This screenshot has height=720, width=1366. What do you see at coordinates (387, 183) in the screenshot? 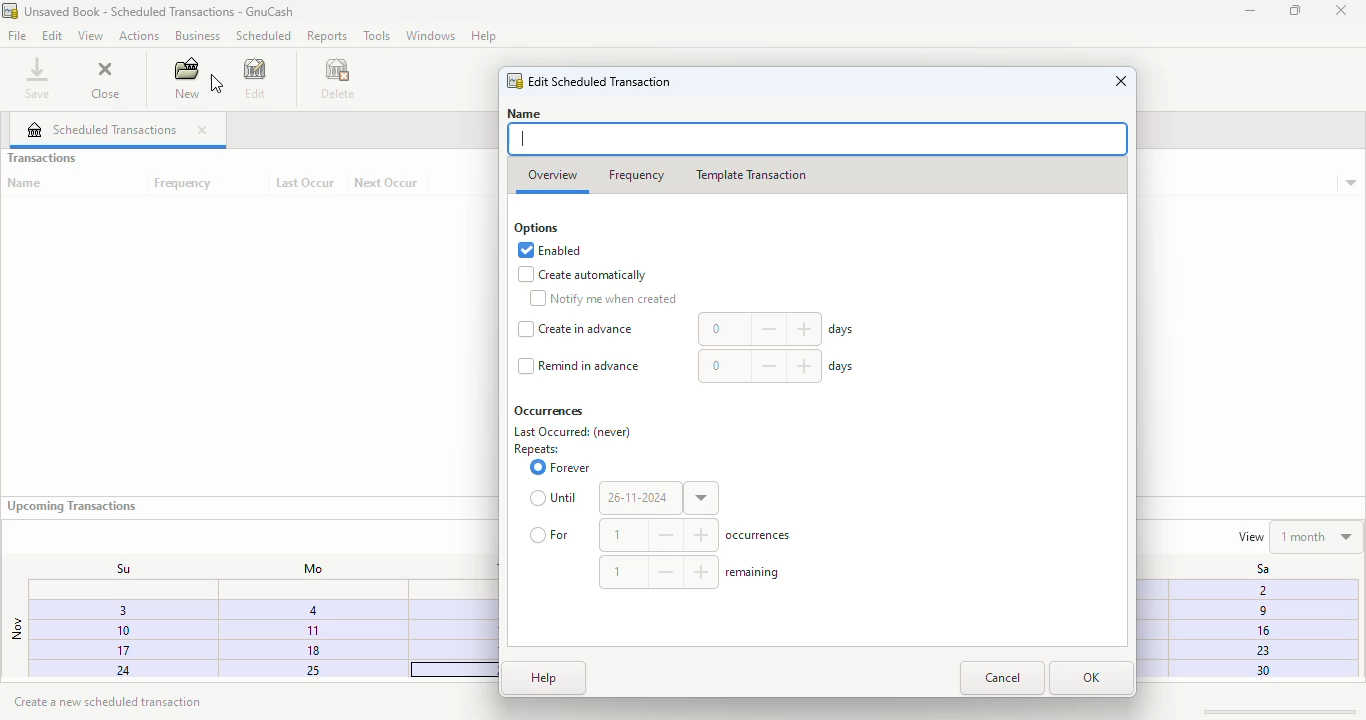
I see `next occur` at bounding box center [387, 183].